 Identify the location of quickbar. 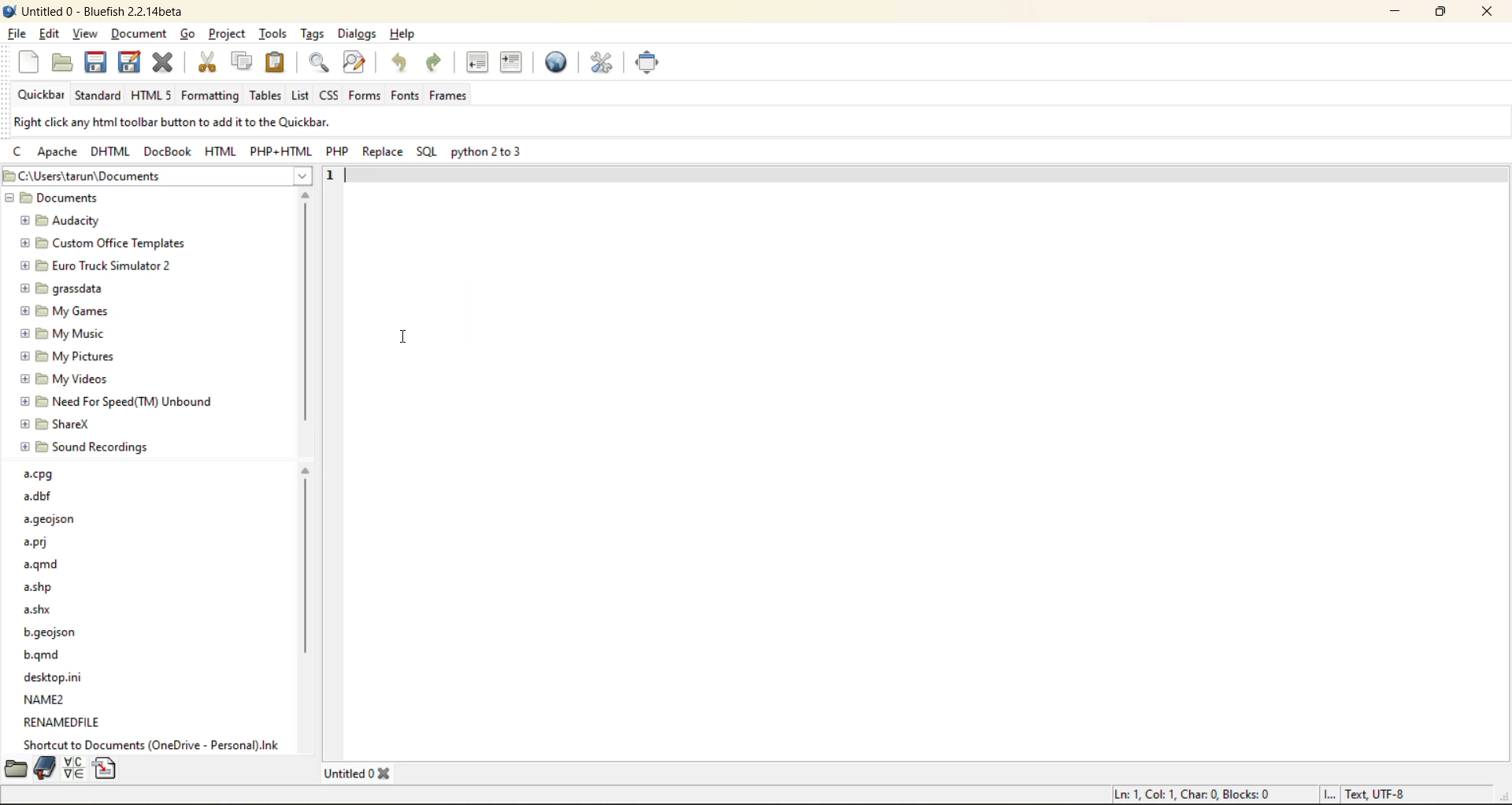
(41, 94).